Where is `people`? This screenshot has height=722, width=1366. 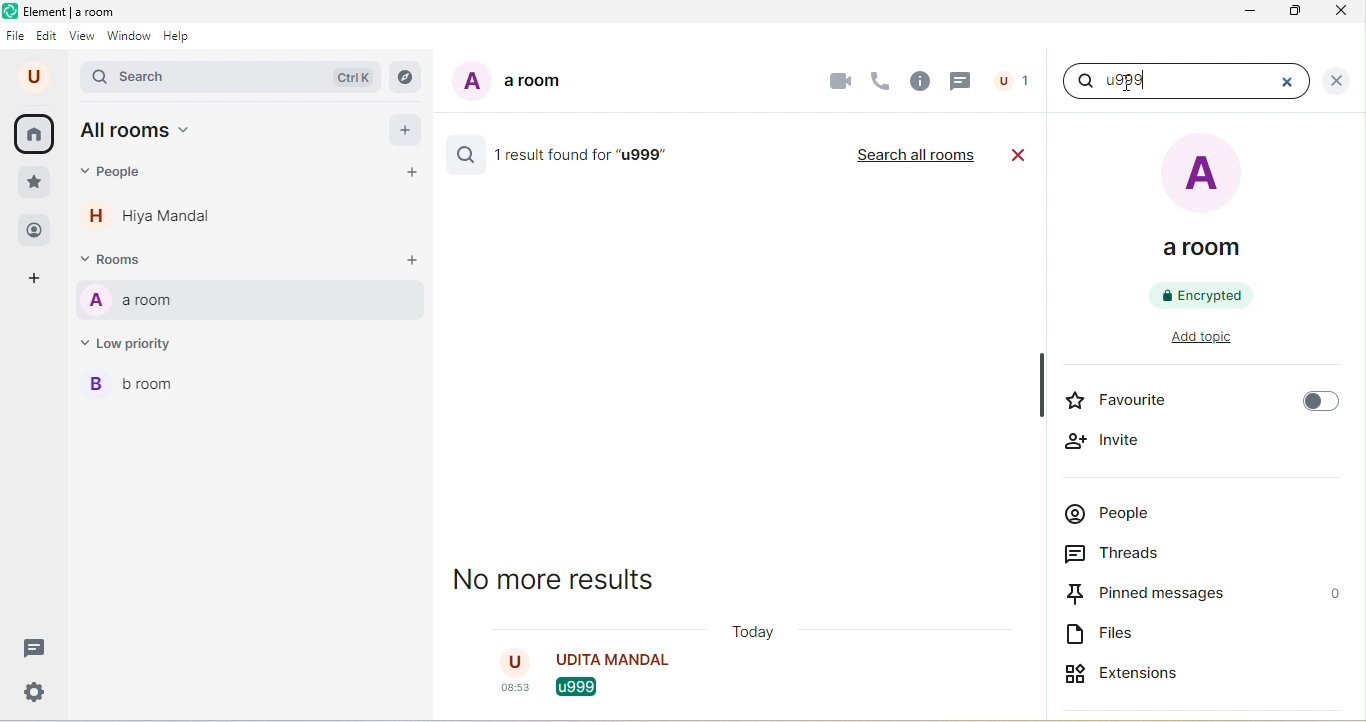 people is located at coordinates (33, 229).